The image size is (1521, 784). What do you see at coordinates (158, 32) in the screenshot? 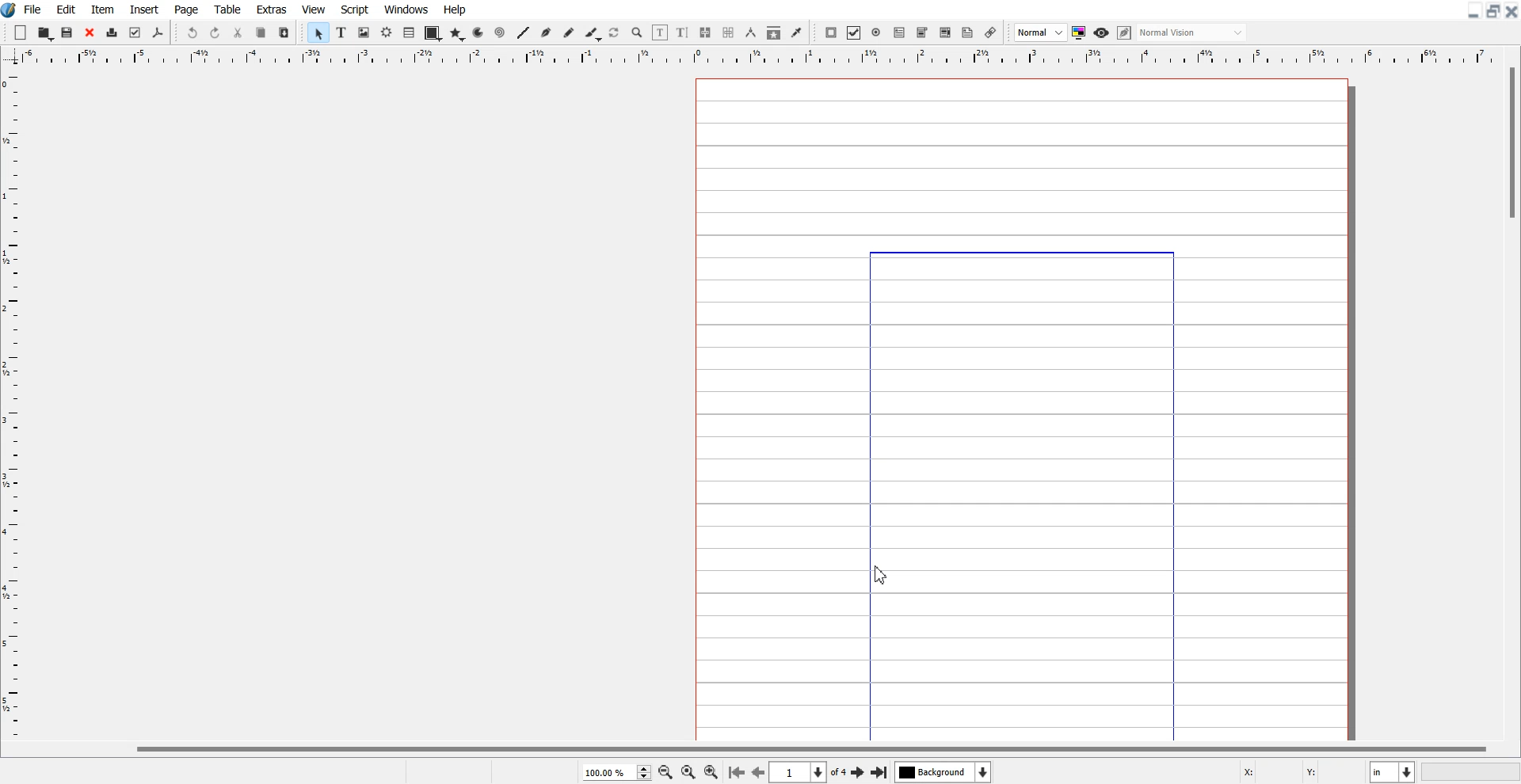
I see `Save as PDF` at bounding box center [158, 32].